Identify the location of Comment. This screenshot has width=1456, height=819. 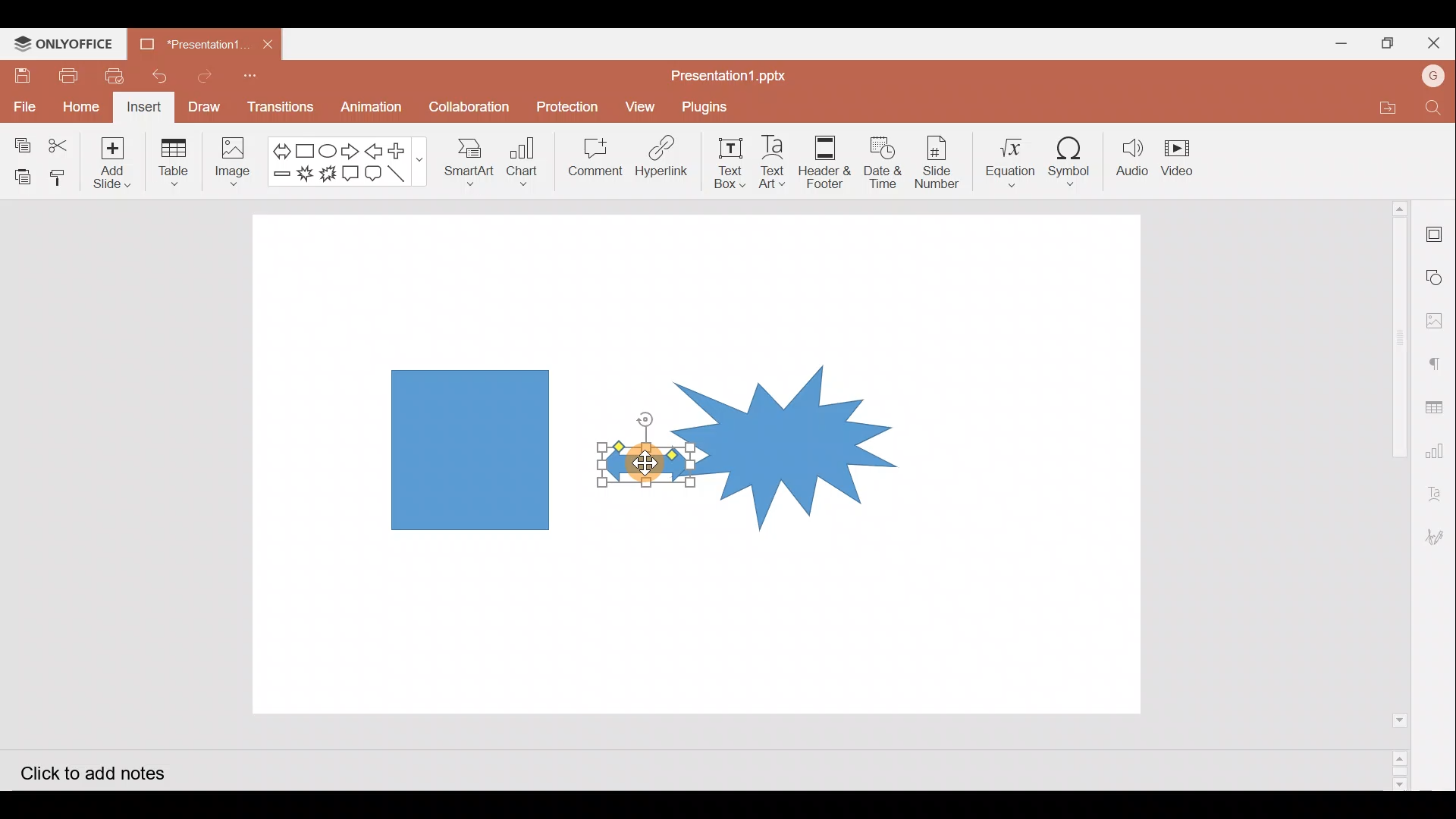
(596, 160).